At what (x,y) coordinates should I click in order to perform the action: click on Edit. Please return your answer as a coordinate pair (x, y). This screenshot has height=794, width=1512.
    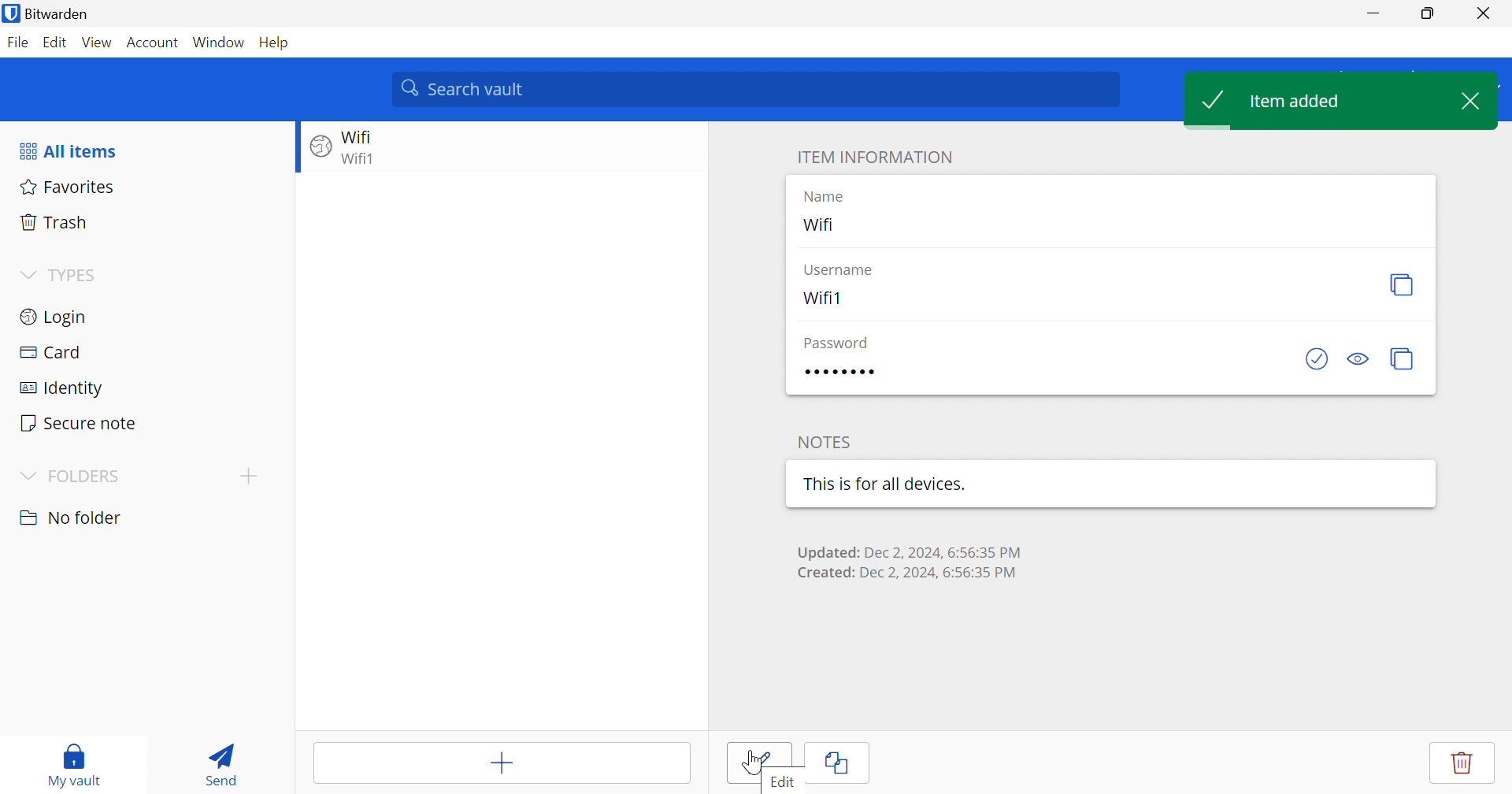
    Looking at the image, I should click on (744, 763).